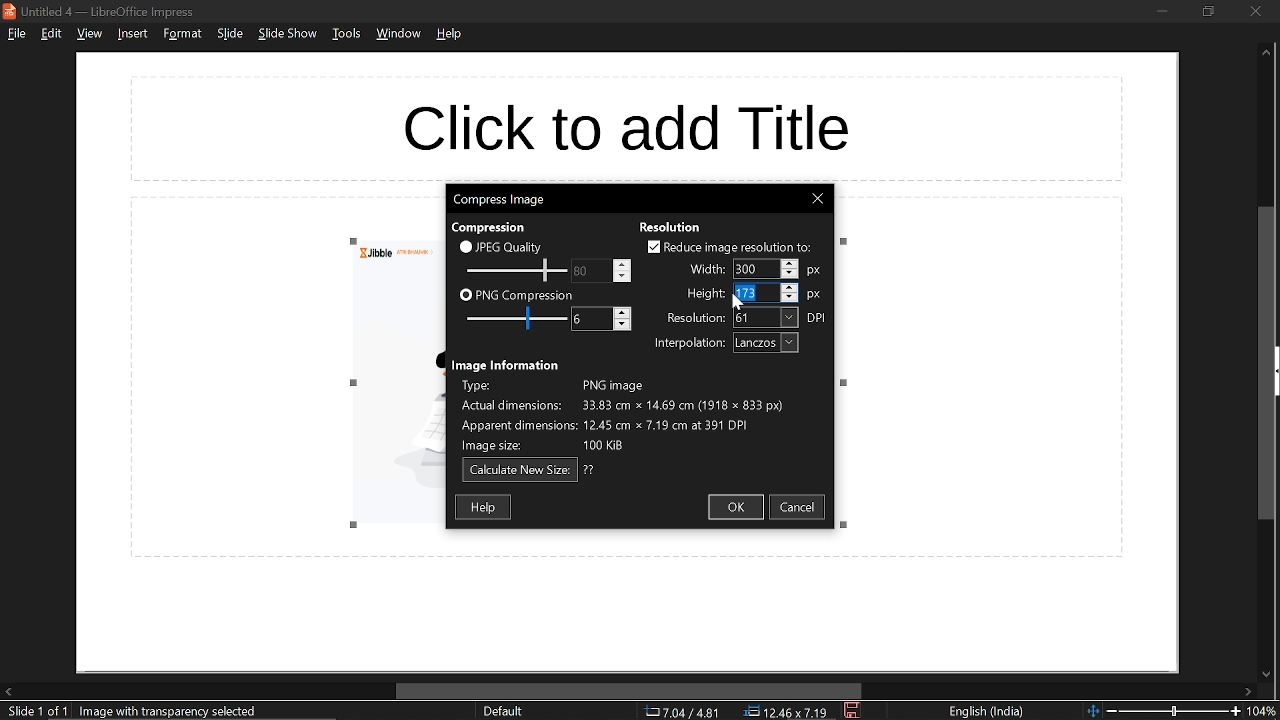 The width and height of the screenshot is (1280, 720). I want to click on selected image, so click(173, 711).